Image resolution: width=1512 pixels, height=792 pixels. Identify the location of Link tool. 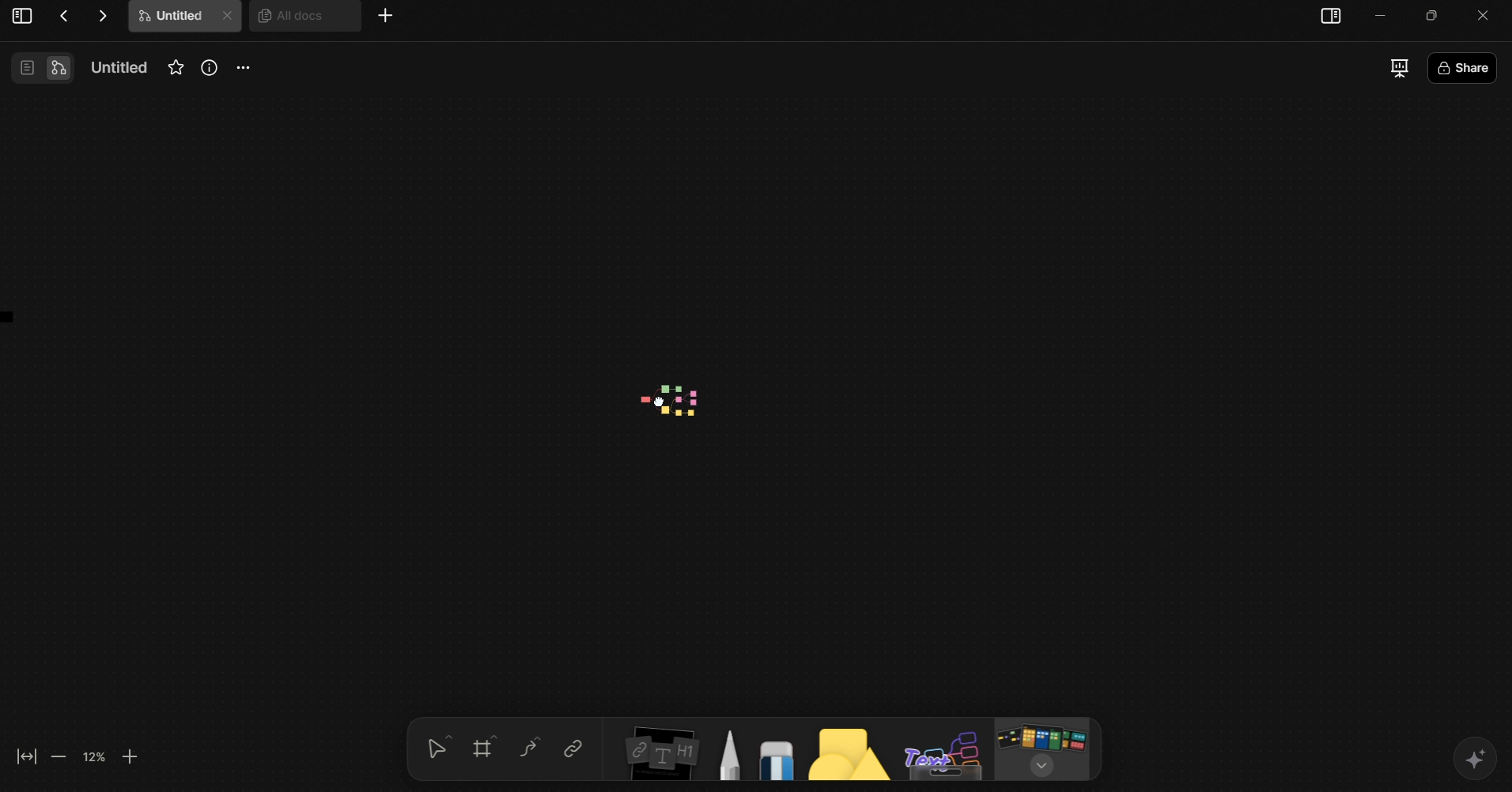
(573, 749).